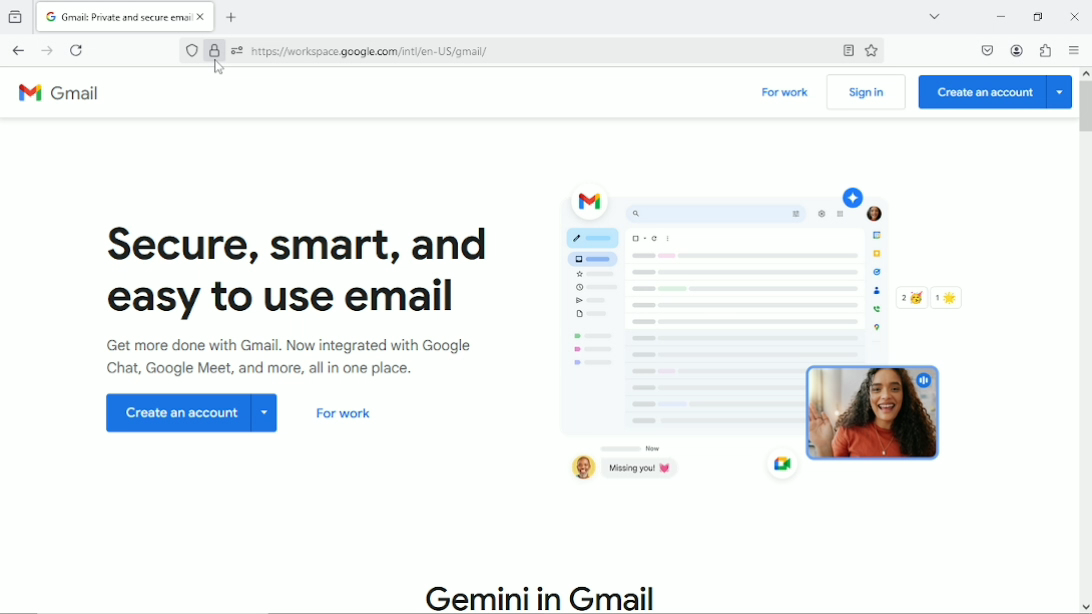 This screenshot has width=1092, height=614. I want to click on Verified by Google Trust Services, so click(214, 50).